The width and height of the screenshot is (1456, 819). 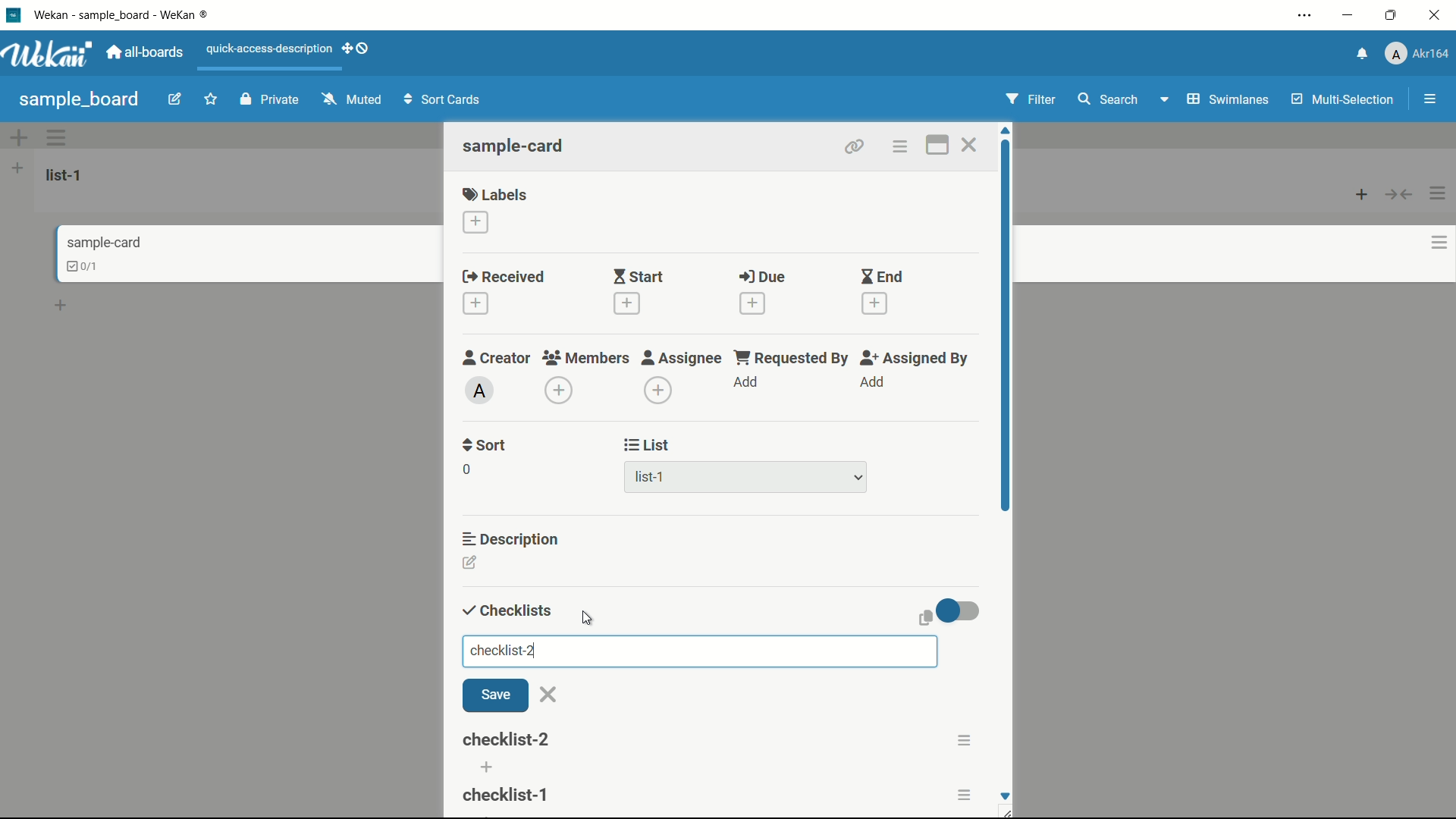 I want to click on due, so click(x=762, y=278).